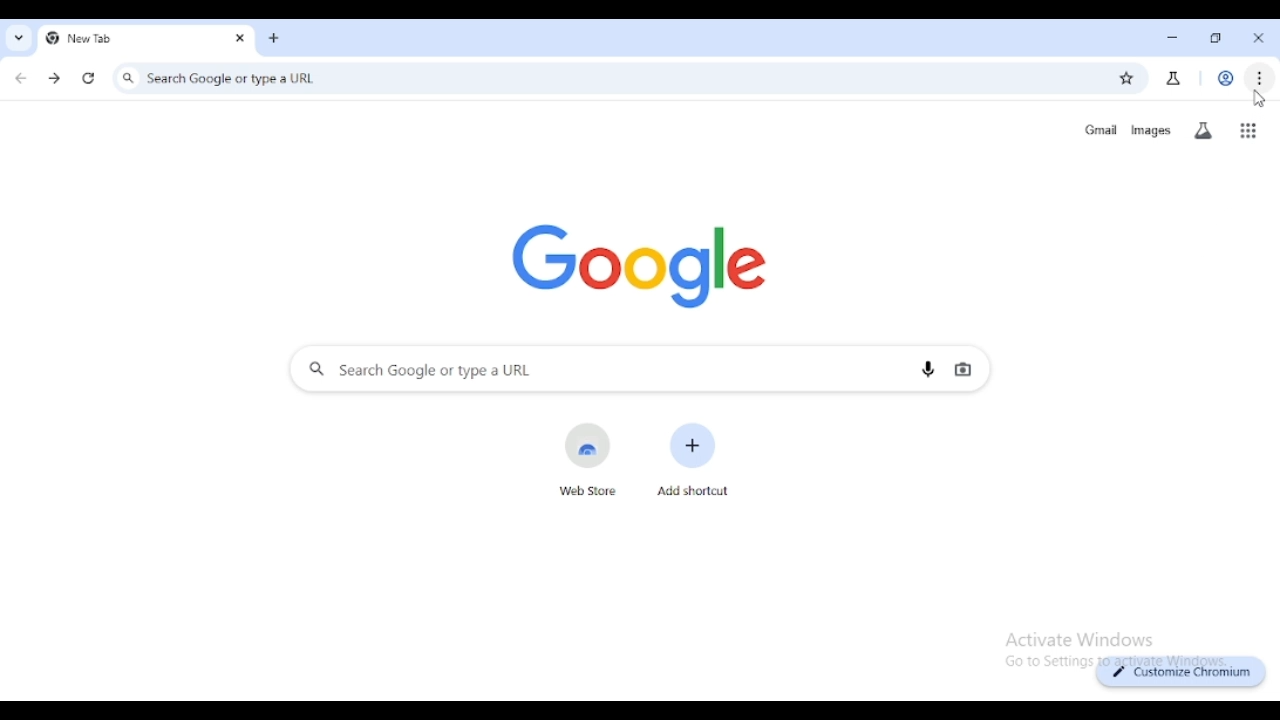 The width and height of the screenshot is (1280, 720). I want to click on maximize, so click(1216, 37).